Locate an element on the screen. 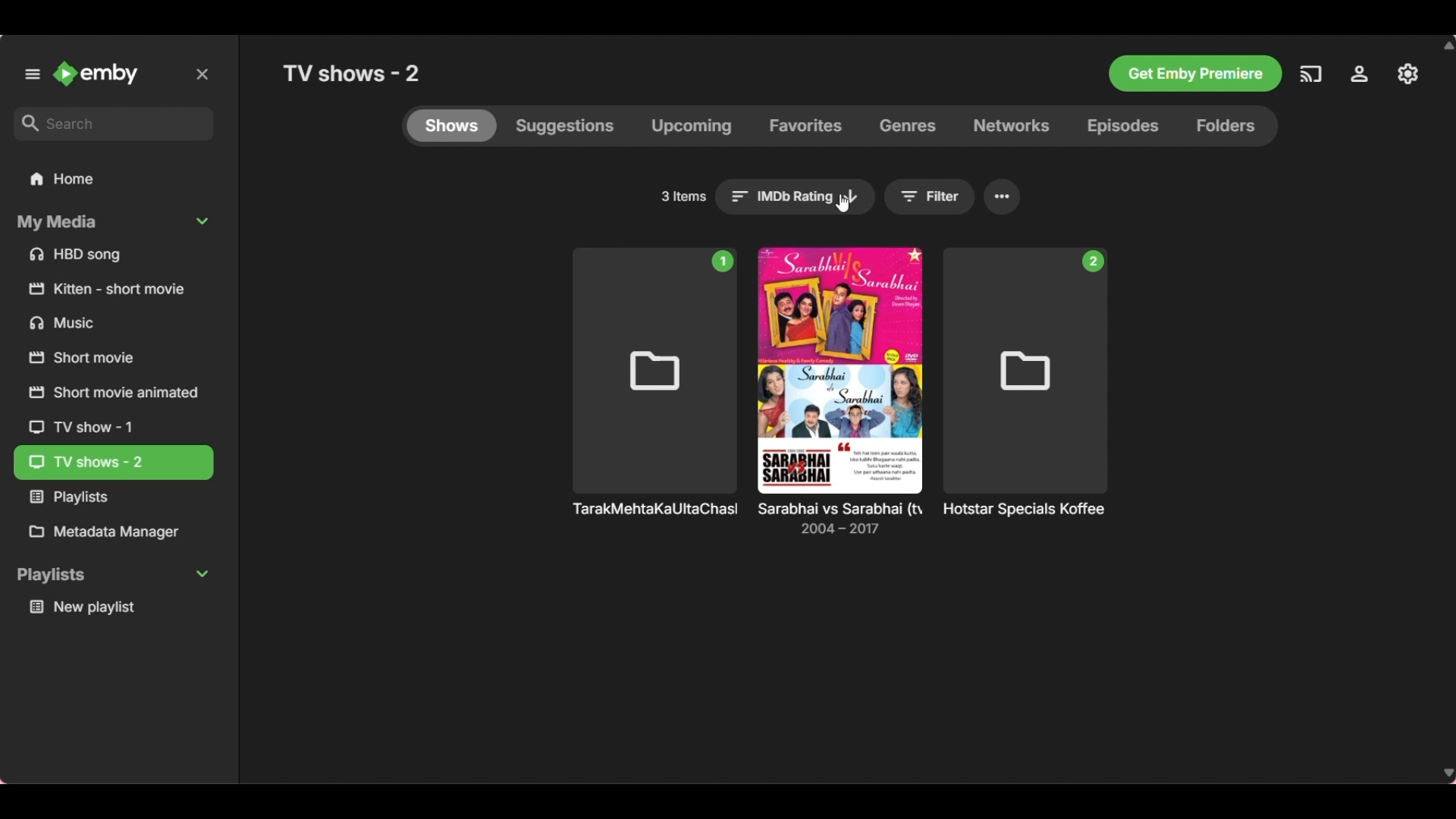 This screenshot has width=1456, height=819. Search box is located at coordinates (113, 124).